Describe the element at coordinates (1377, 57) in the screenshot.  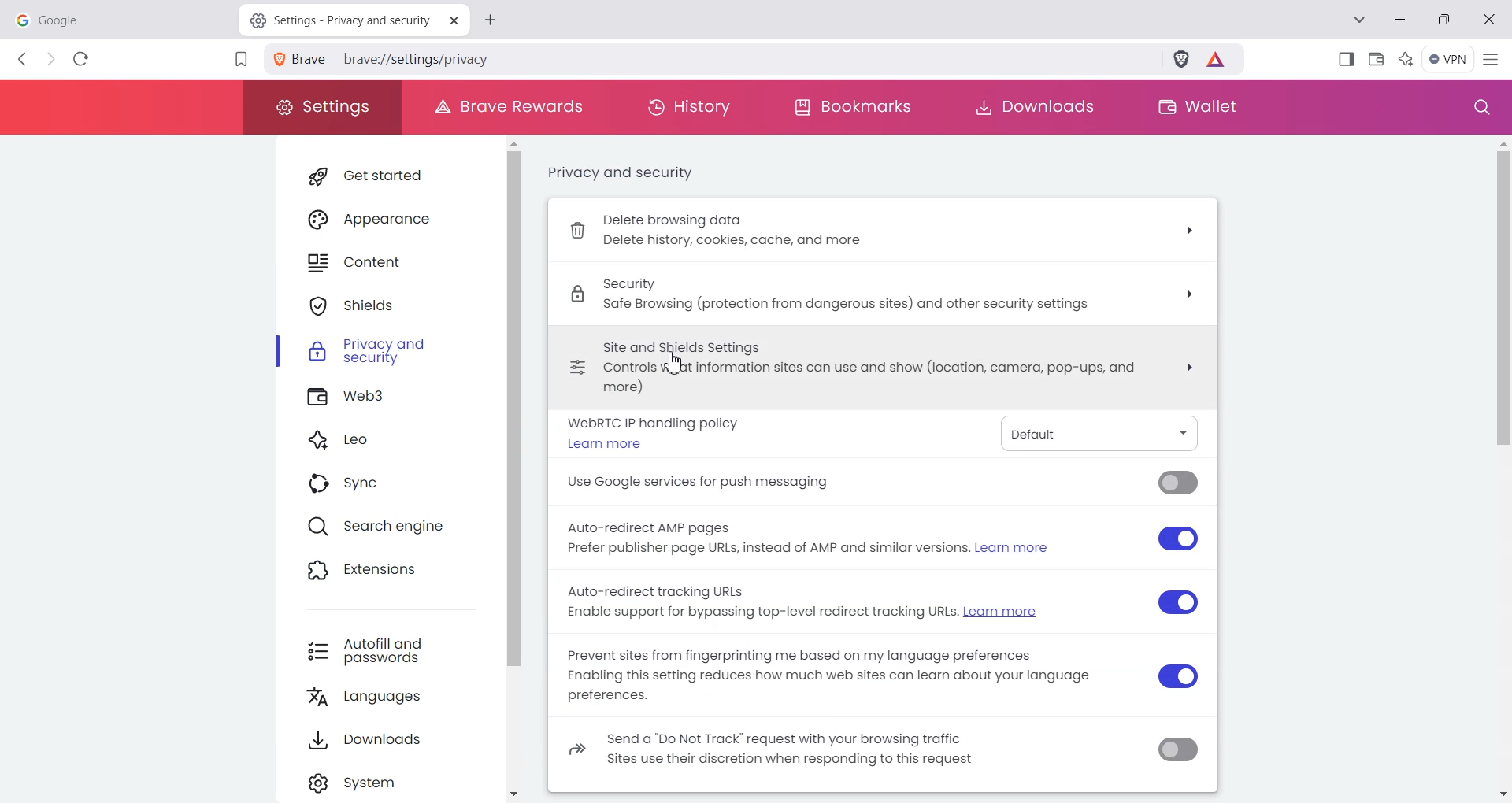
I see `Wallet` at that location.